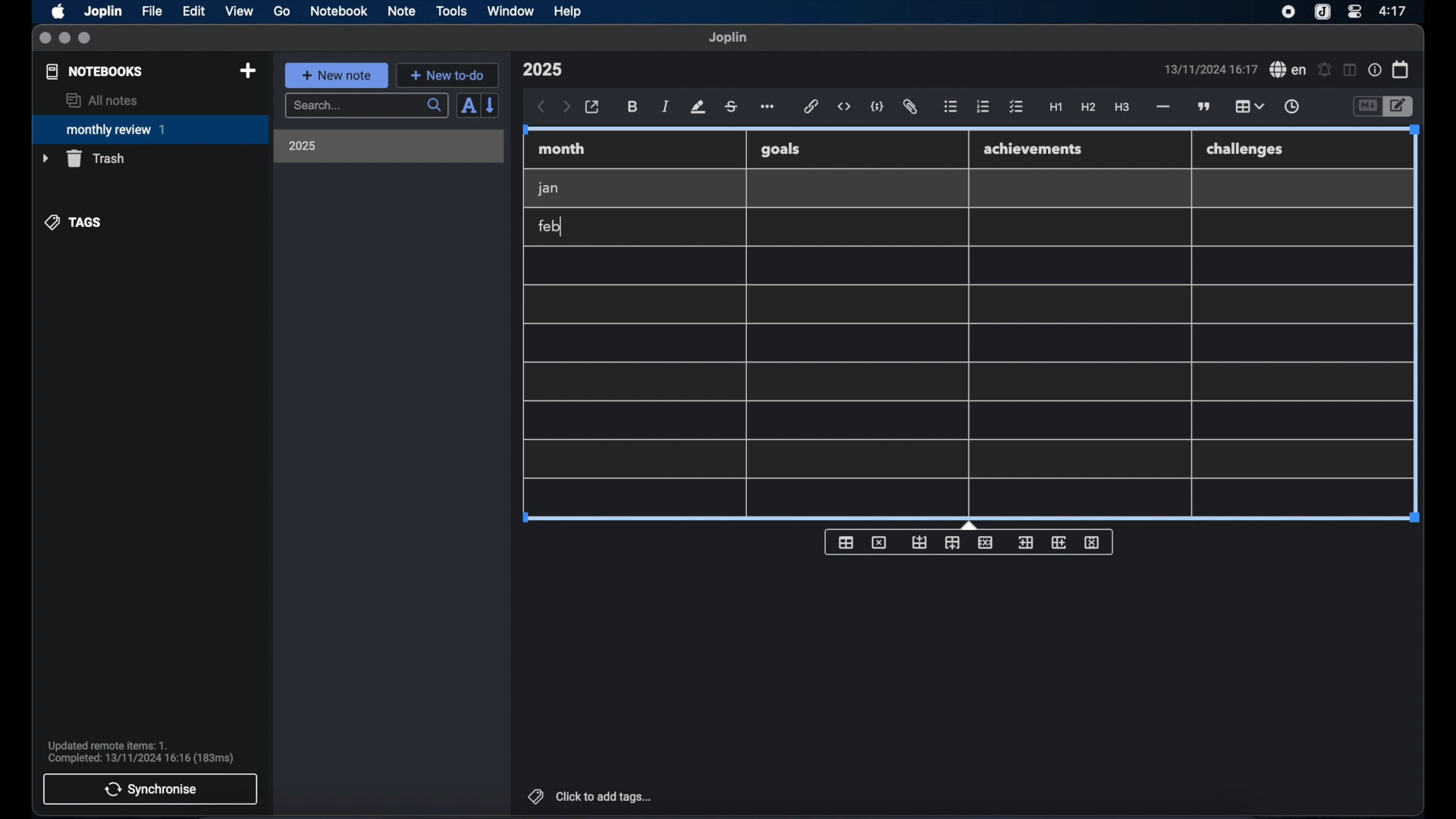 Image resolution: width=1456 pixels, height=819 pixels. I want to click on delete column, so click(1093, 543).